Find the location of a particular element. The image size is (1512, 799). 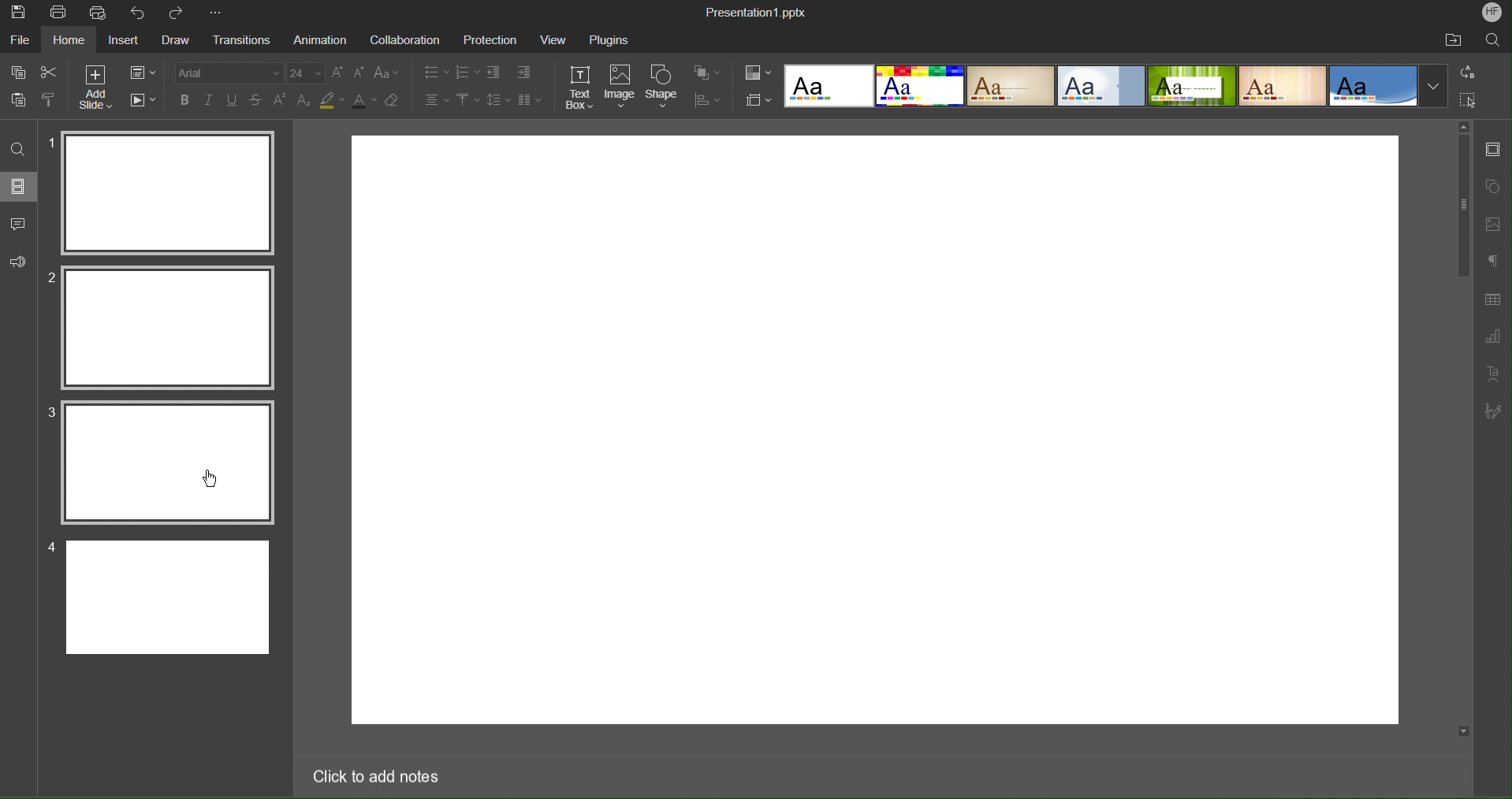

Line Spacing is located at coordinates (496, 98).